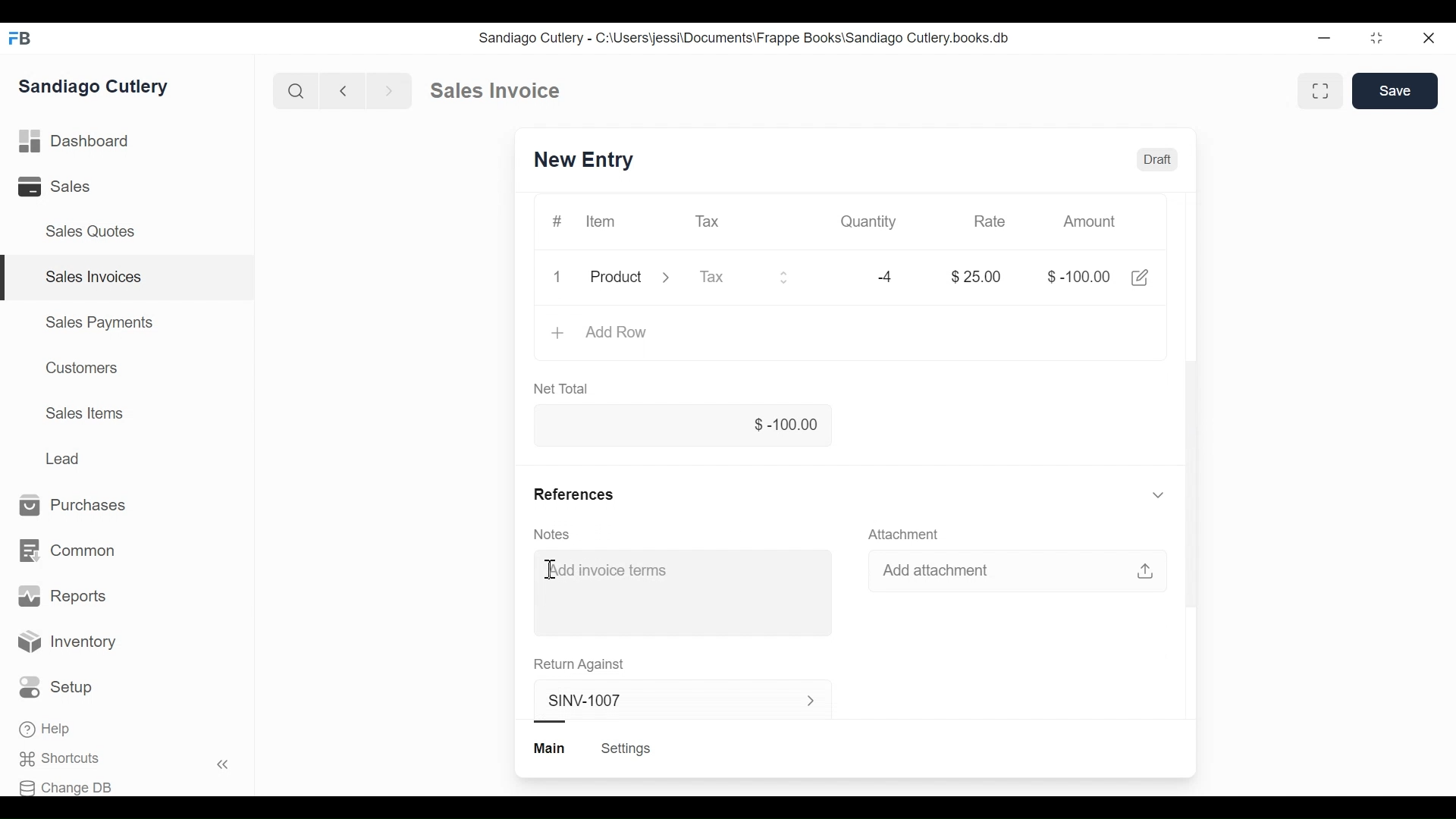 This screenshot has height=819, width=1456. What do you see at coordinates (45, 729) in the screenshot?
I see ` Help` at bounding box center [45, 729].